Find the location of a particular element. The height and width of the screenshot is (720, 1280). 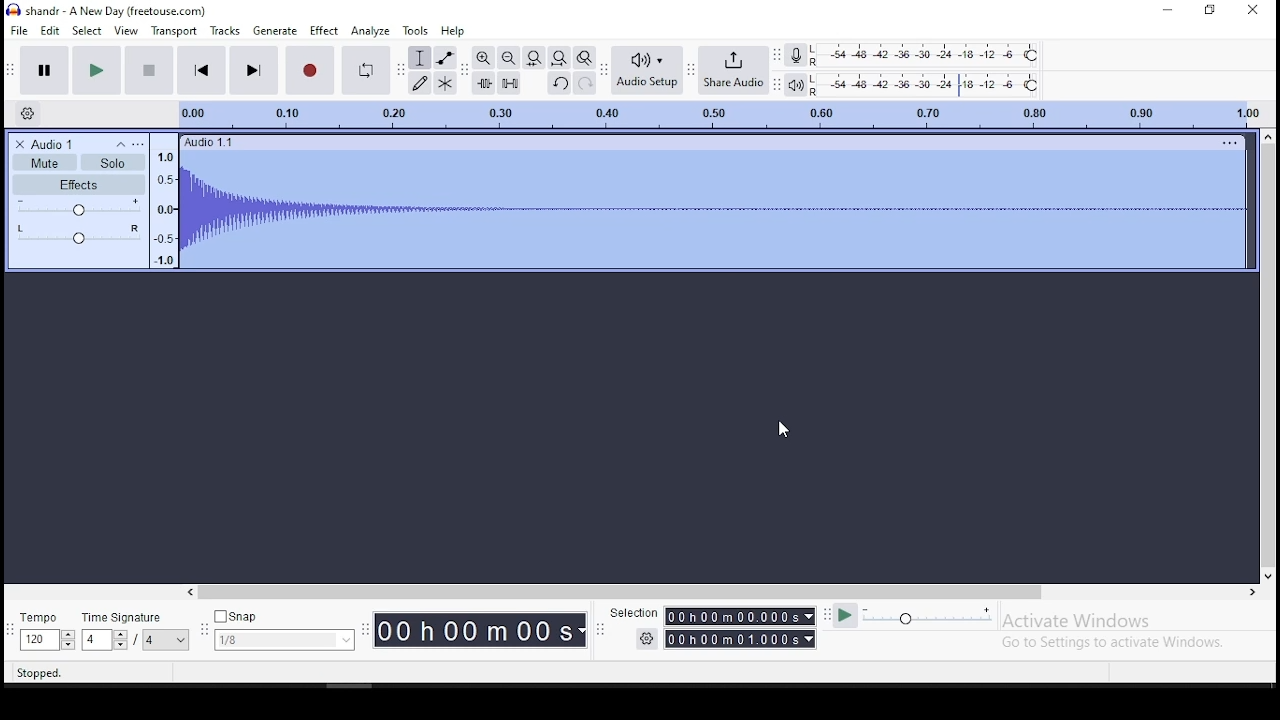

time signature is located at coordinates (46, 629).